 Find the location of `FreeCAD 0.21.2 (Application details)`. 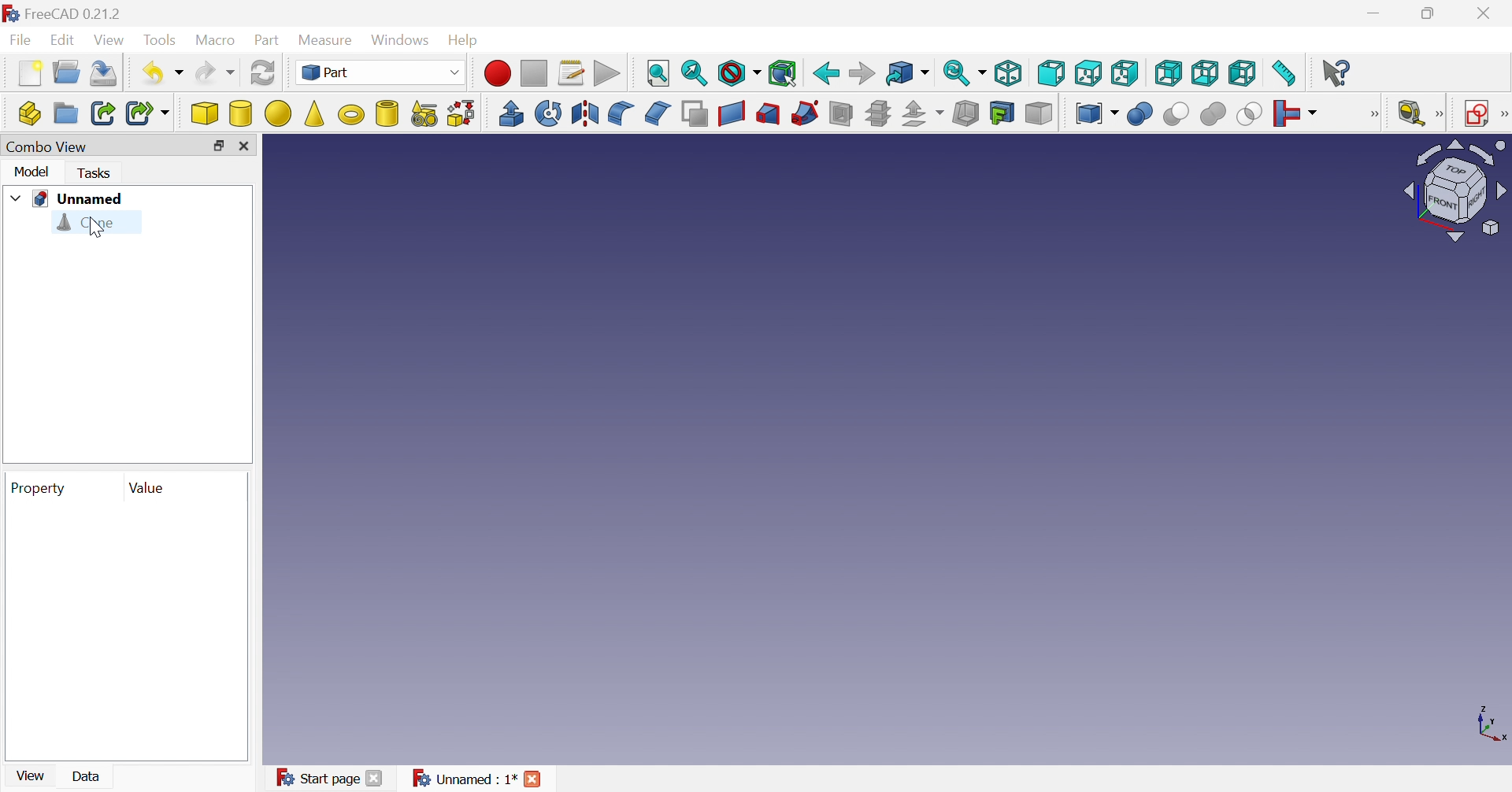

FreeCAD 0.21.2 (Application details) is located at coordinates (62, 12).